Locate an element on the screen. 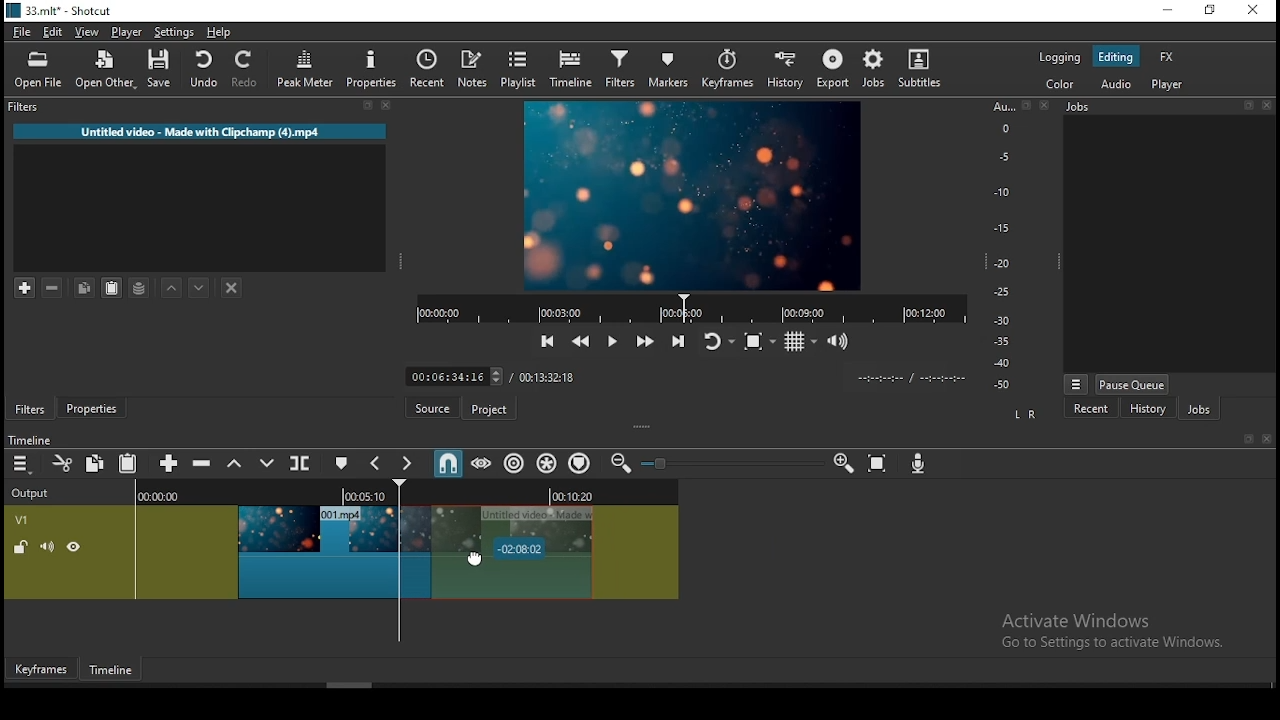  move filter up is located at coordinates (174, 288).